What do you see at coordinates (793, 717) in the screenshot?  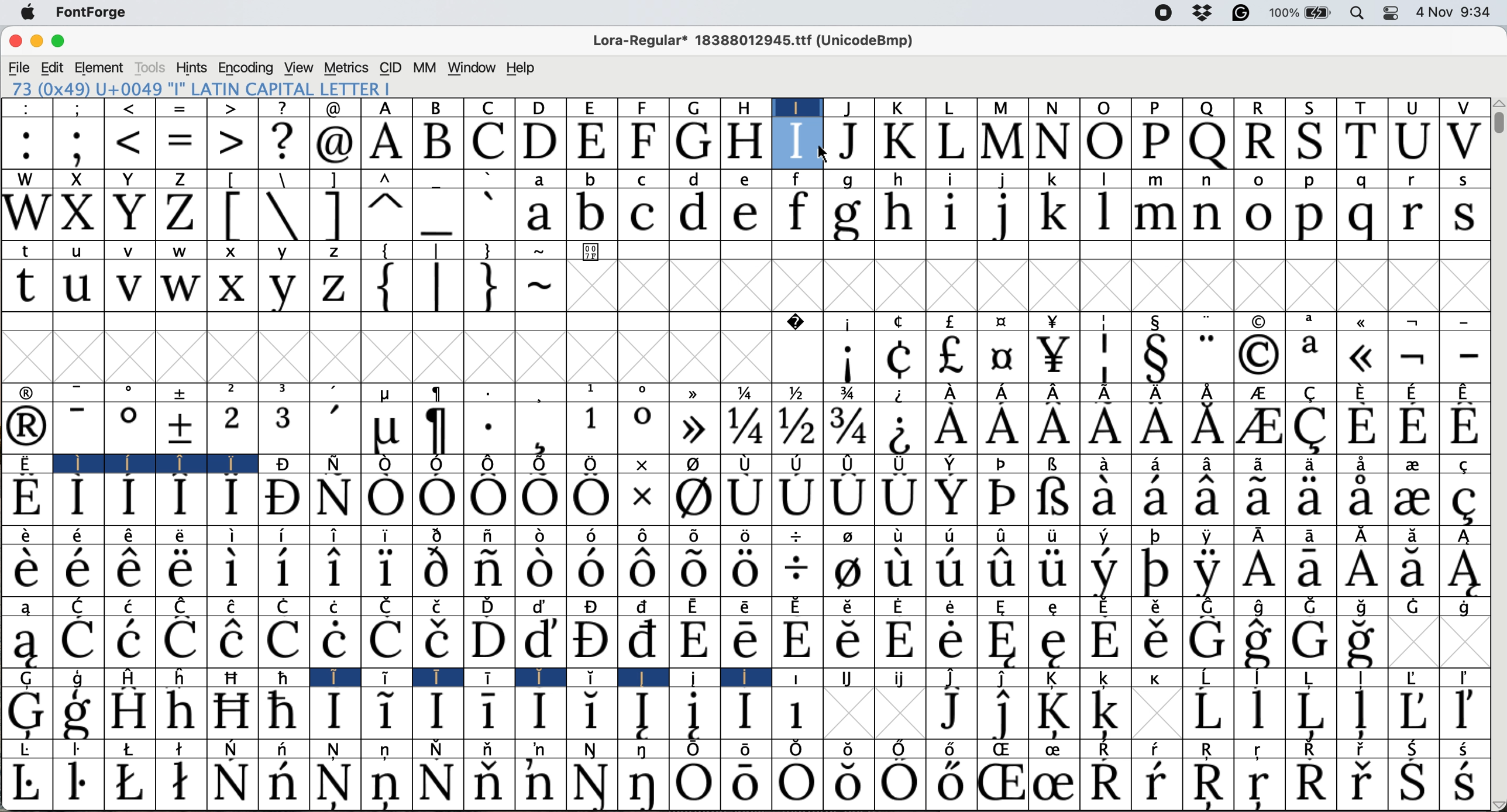 I see `Symbol` at bounding box center [793, 717].